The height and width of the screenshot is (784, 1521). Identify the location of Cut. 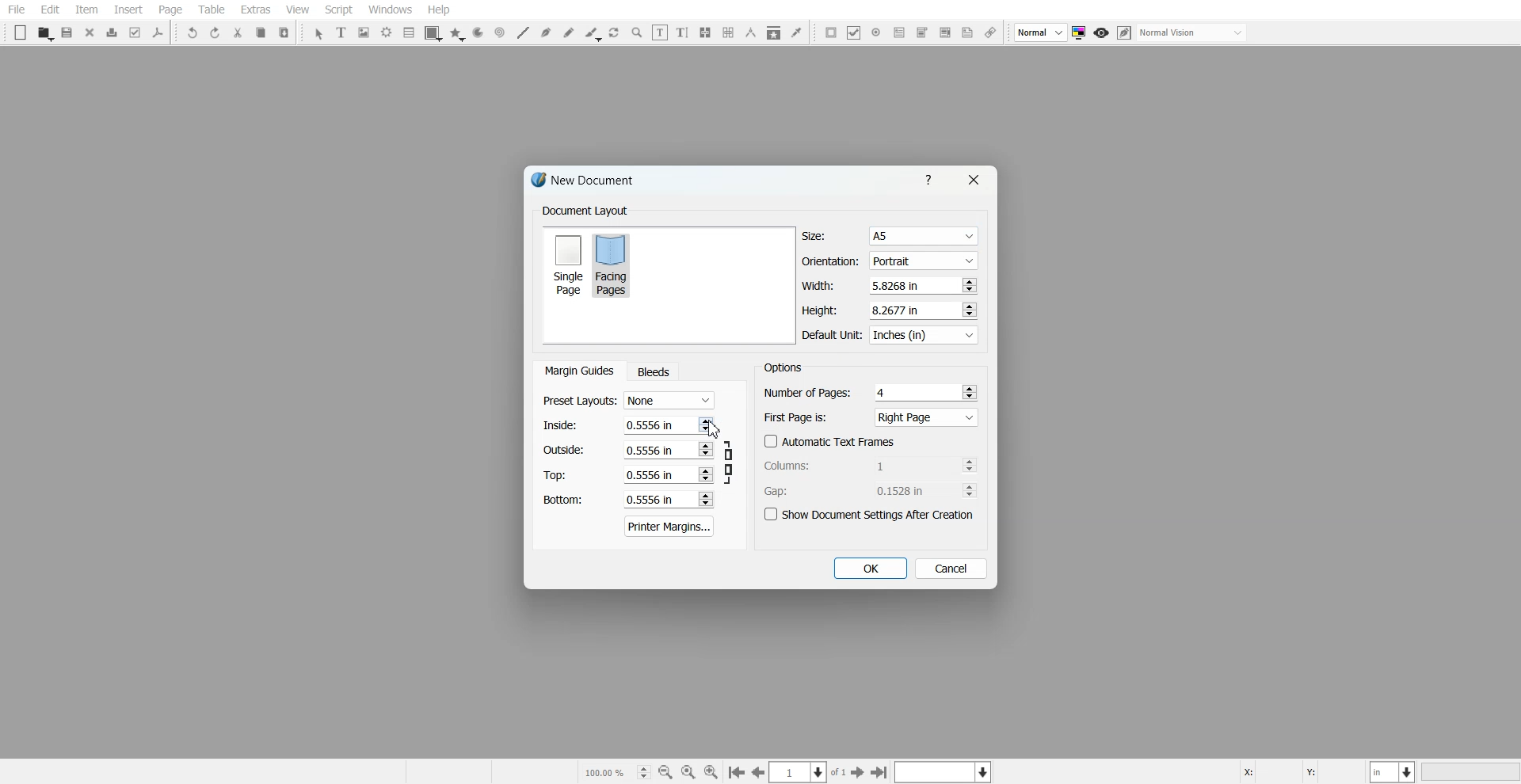
(238, 32).